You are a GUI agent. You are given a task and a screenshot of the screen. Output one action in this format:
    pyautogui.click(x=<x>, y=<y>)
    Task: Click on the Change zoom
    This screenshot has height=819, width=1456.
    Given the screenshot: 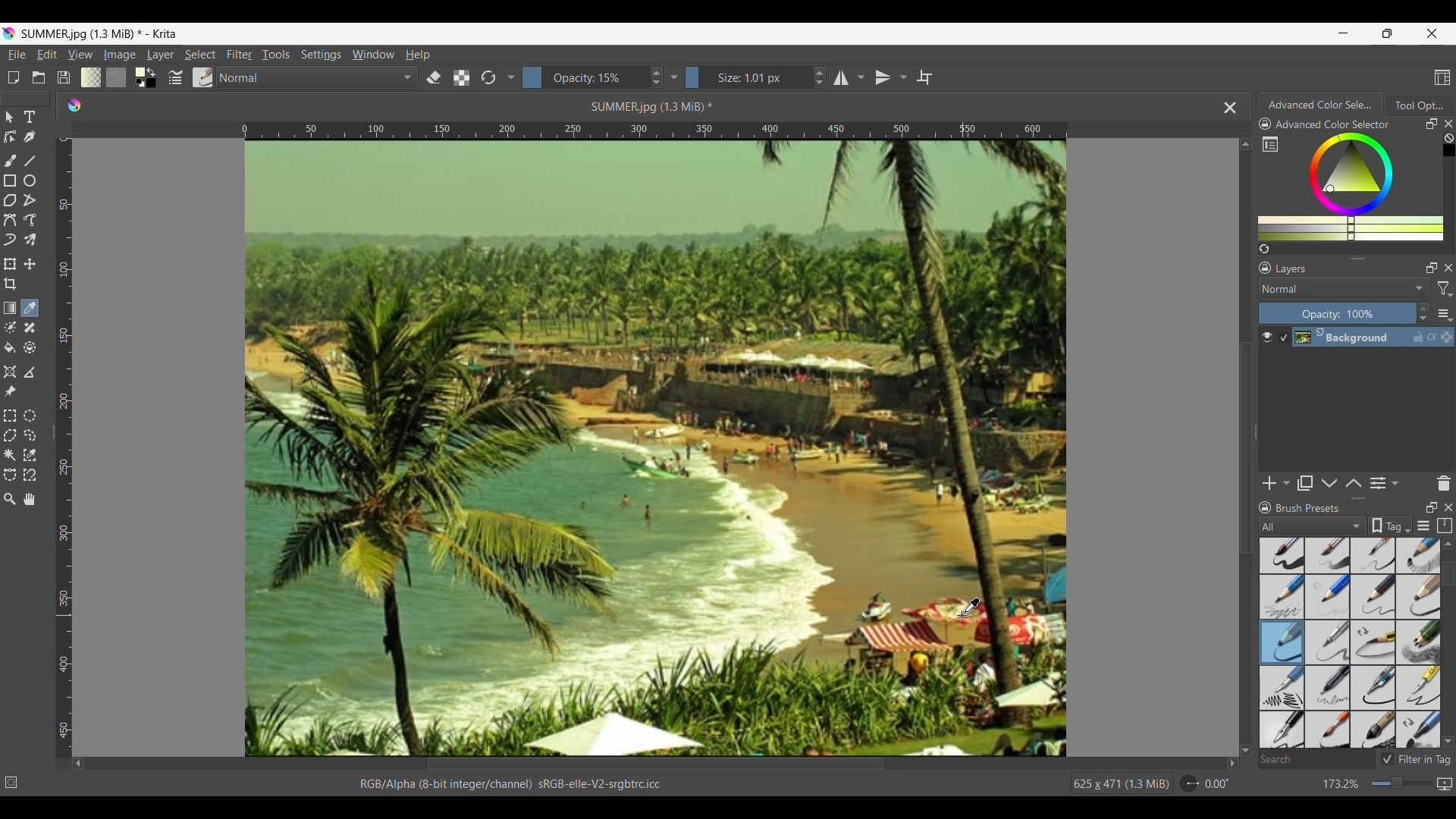 What is the action you would take?
    pyautogui.click(x=1401, y=783)
    